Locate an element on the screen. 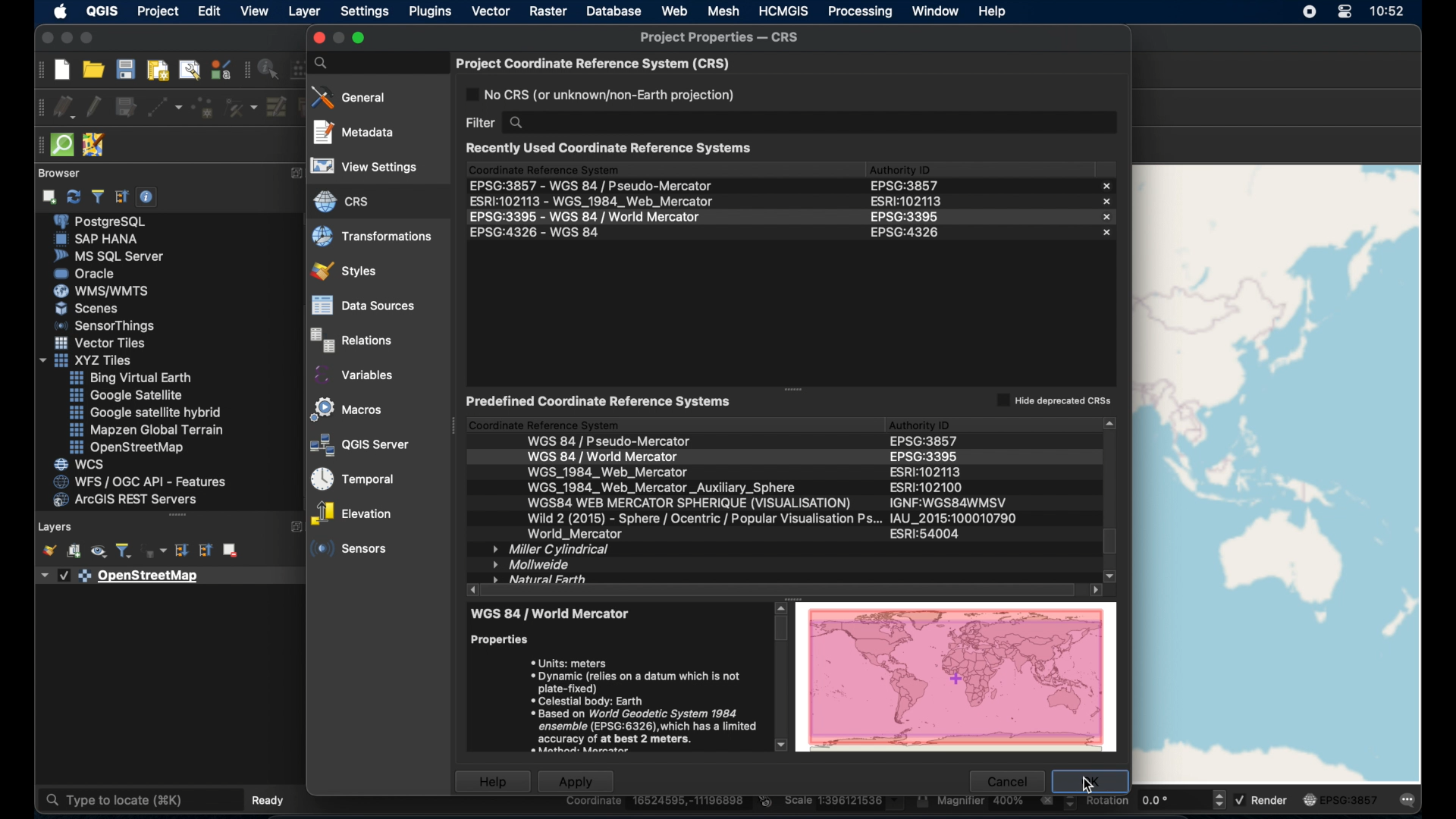  view settings is located at coordinates (369, 167).